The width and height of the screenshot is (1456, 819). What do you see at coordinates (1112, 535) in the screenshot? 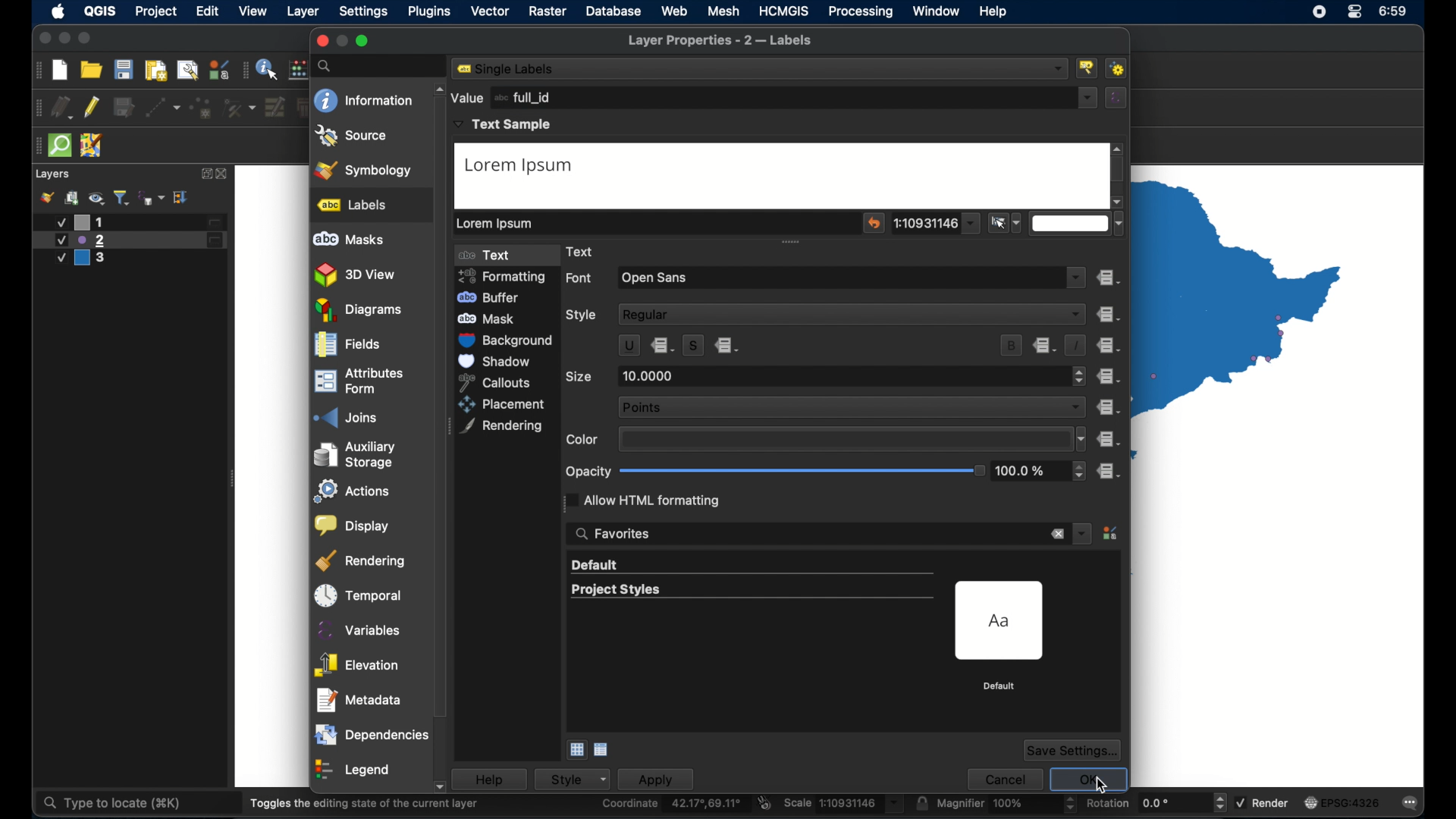
I see `style manager` at bounding box center [1112, 535].